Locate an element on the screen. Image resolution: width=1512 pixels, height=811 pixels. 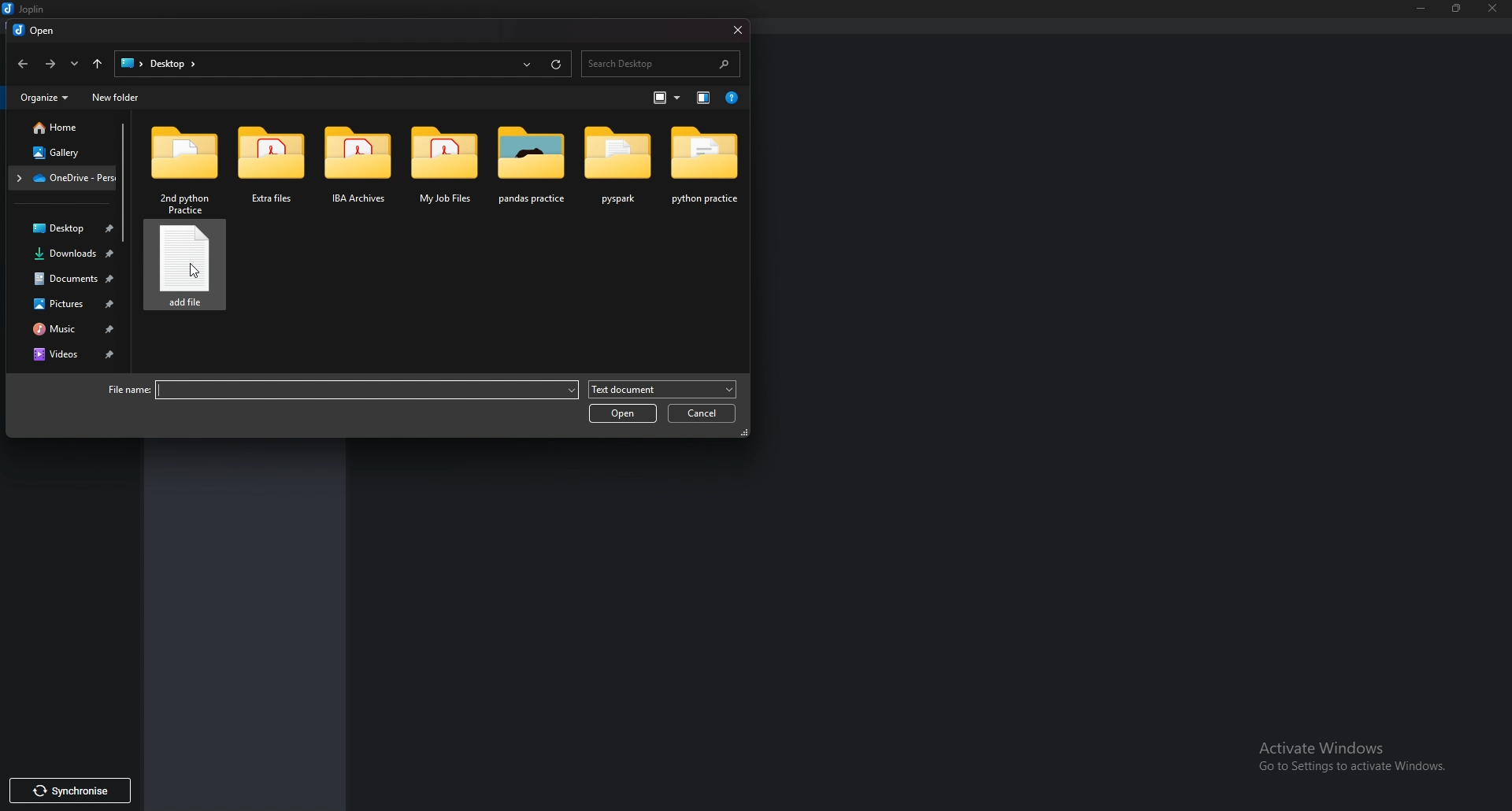
Folder is located at coordinates (358, 168).